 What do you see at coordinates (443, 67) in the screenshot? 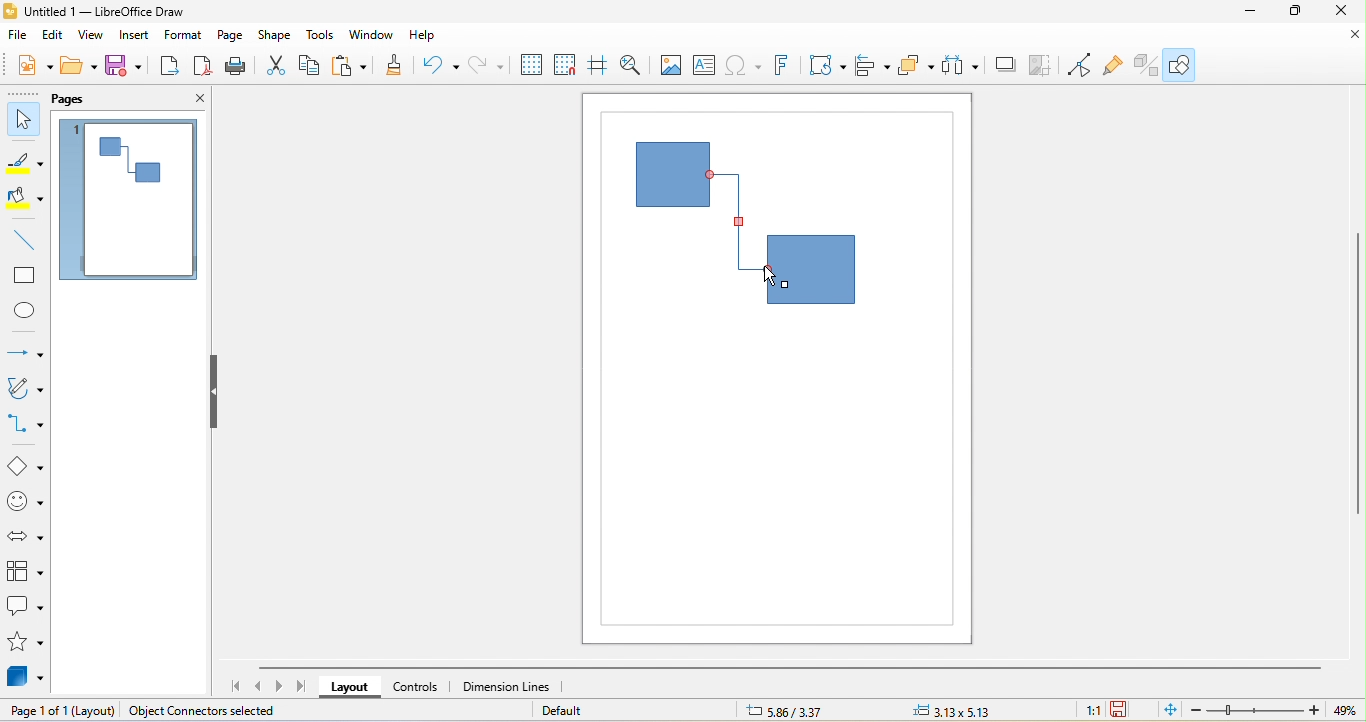
I see `undo` at bounding box center [443, 67].